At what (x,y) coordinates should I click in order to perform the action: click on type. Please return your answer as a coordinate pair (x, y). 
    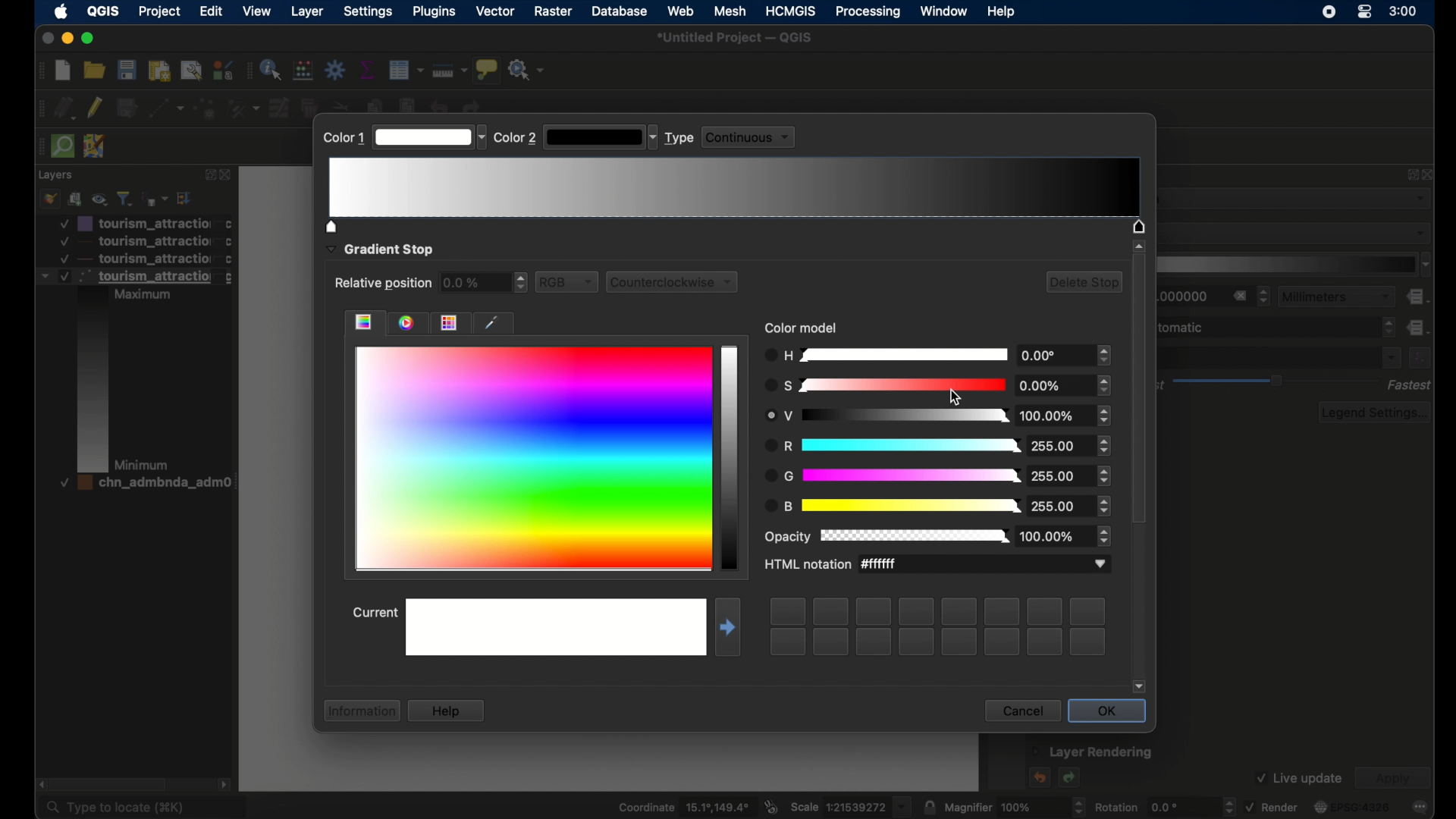
    Looking at the image, I should click on (679, 138).